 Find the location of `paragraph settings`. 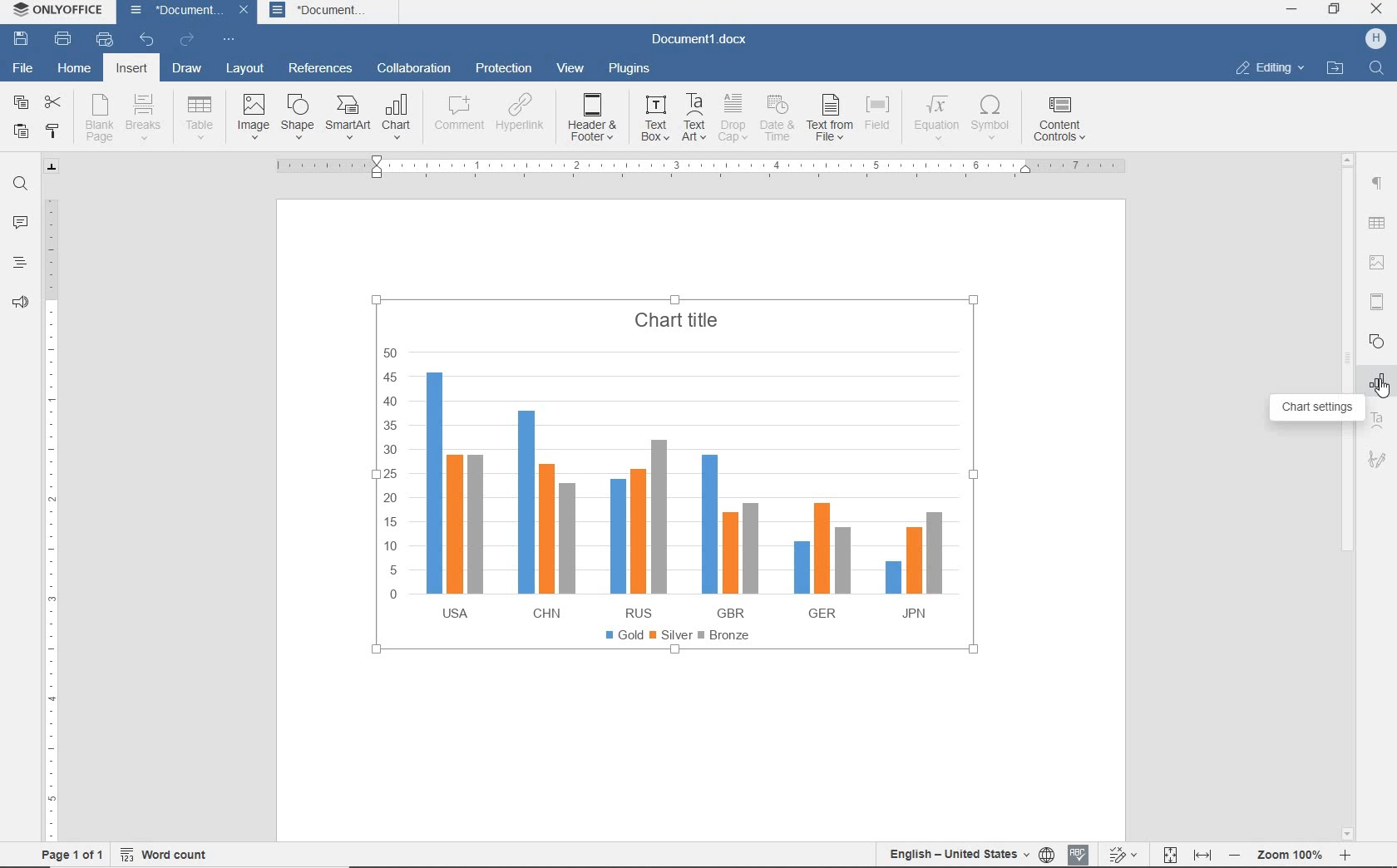

paragraph settings is located at coordinates (1377, 183).